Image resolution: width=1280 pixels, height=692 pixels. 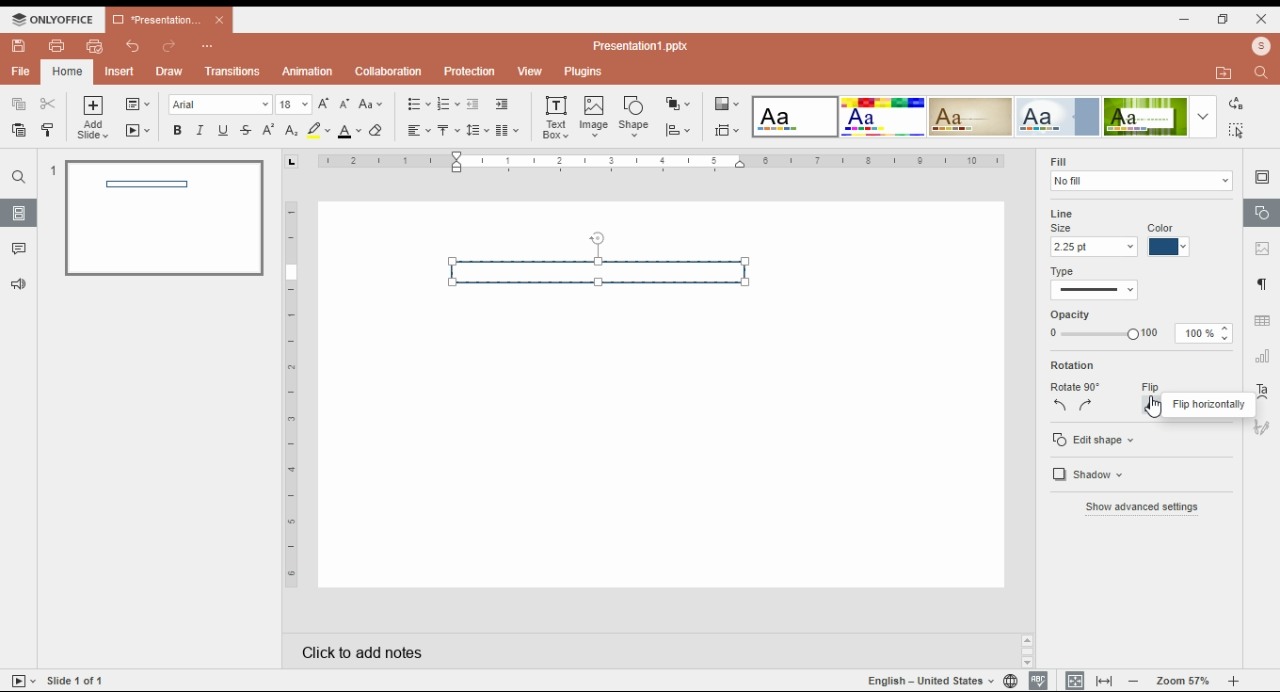 What do you see at coordinates (95, 45) in the screenshot?
I see `quick print` at bounding box center [95, 45].